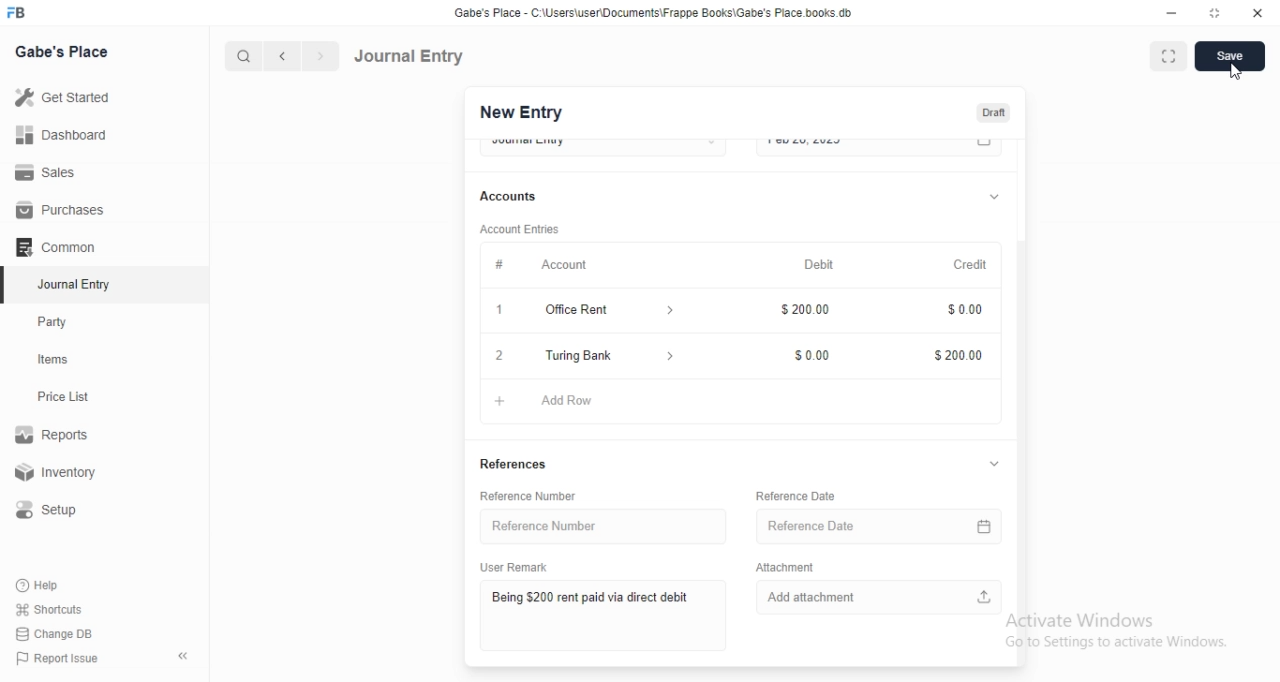  Describe the element at coordinates (521, 113) in the screenshot. I see `New Entry` at that location.